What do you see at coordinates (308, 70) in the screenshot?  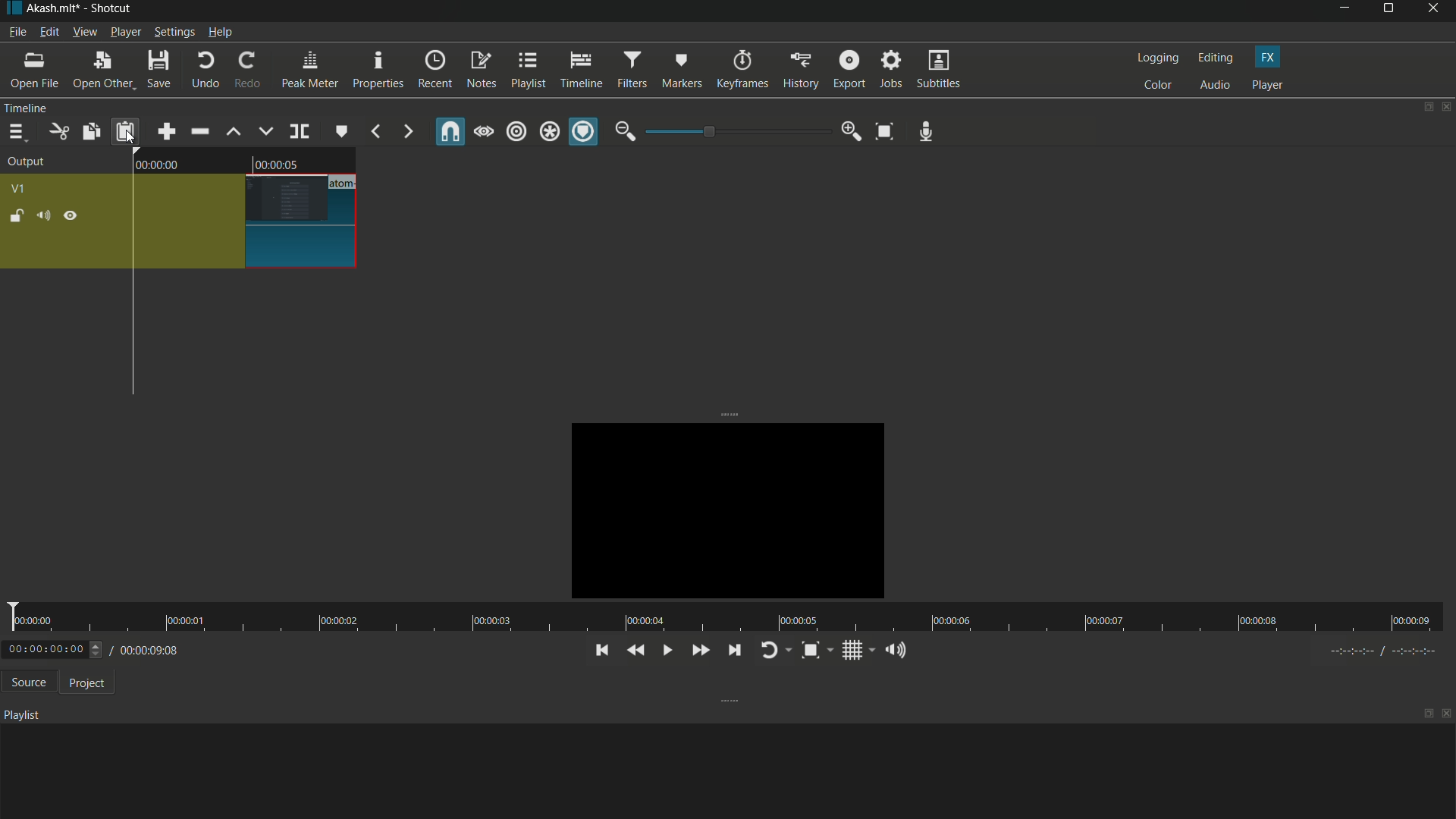 I see `peak meter` at bounding box center [308, 70].